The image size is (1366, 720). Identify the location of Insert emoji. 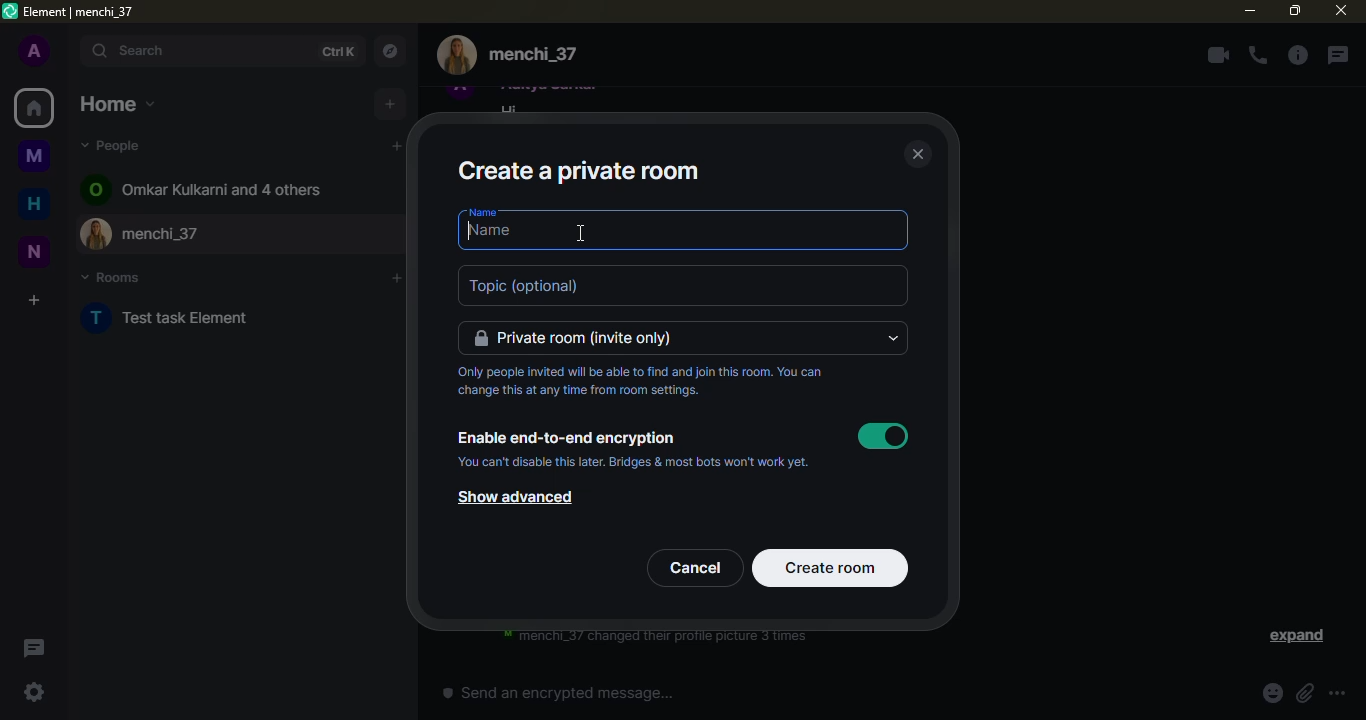
(1273, 693).